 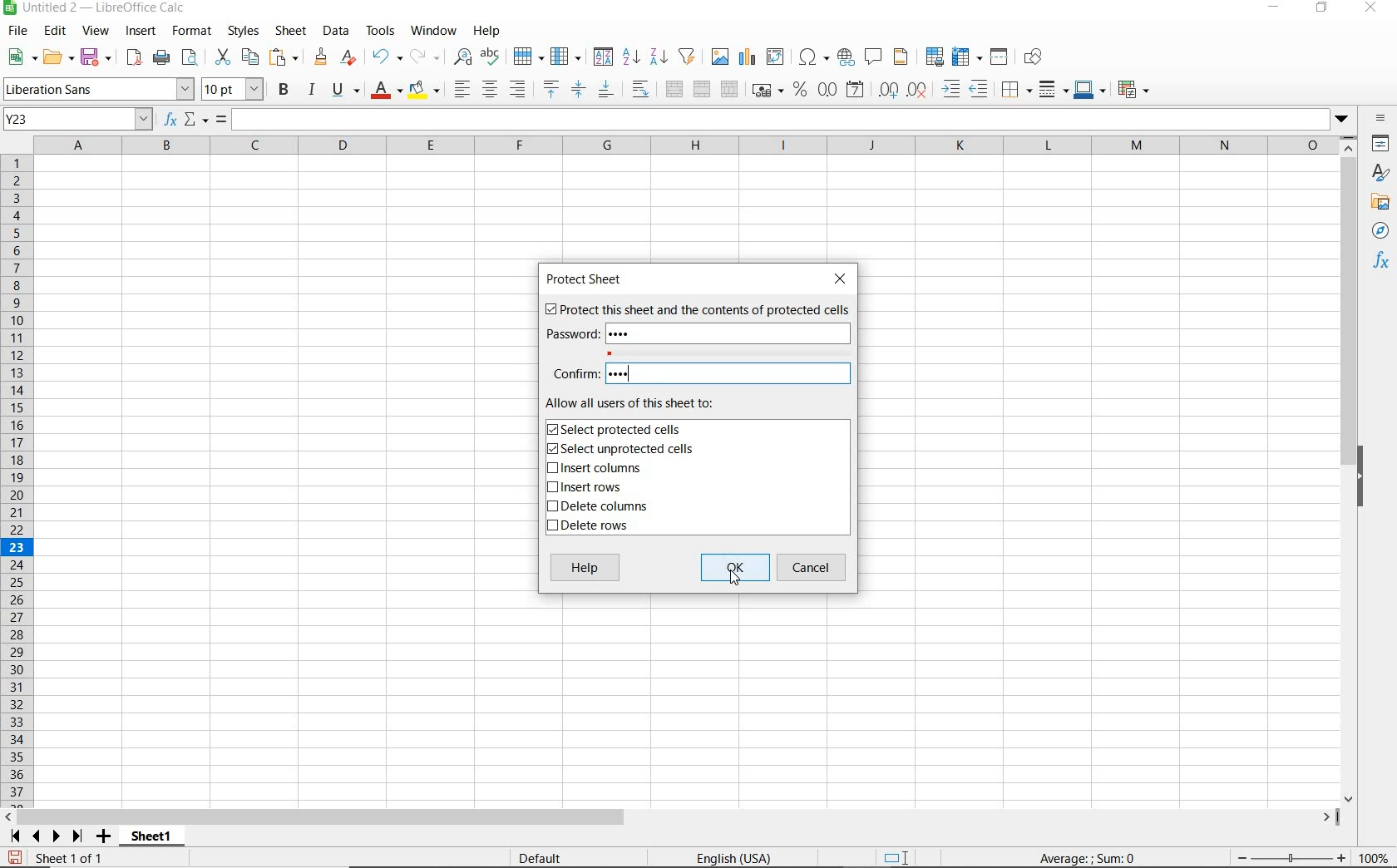 I want to click on PRINT, so click(x=161, y=58).